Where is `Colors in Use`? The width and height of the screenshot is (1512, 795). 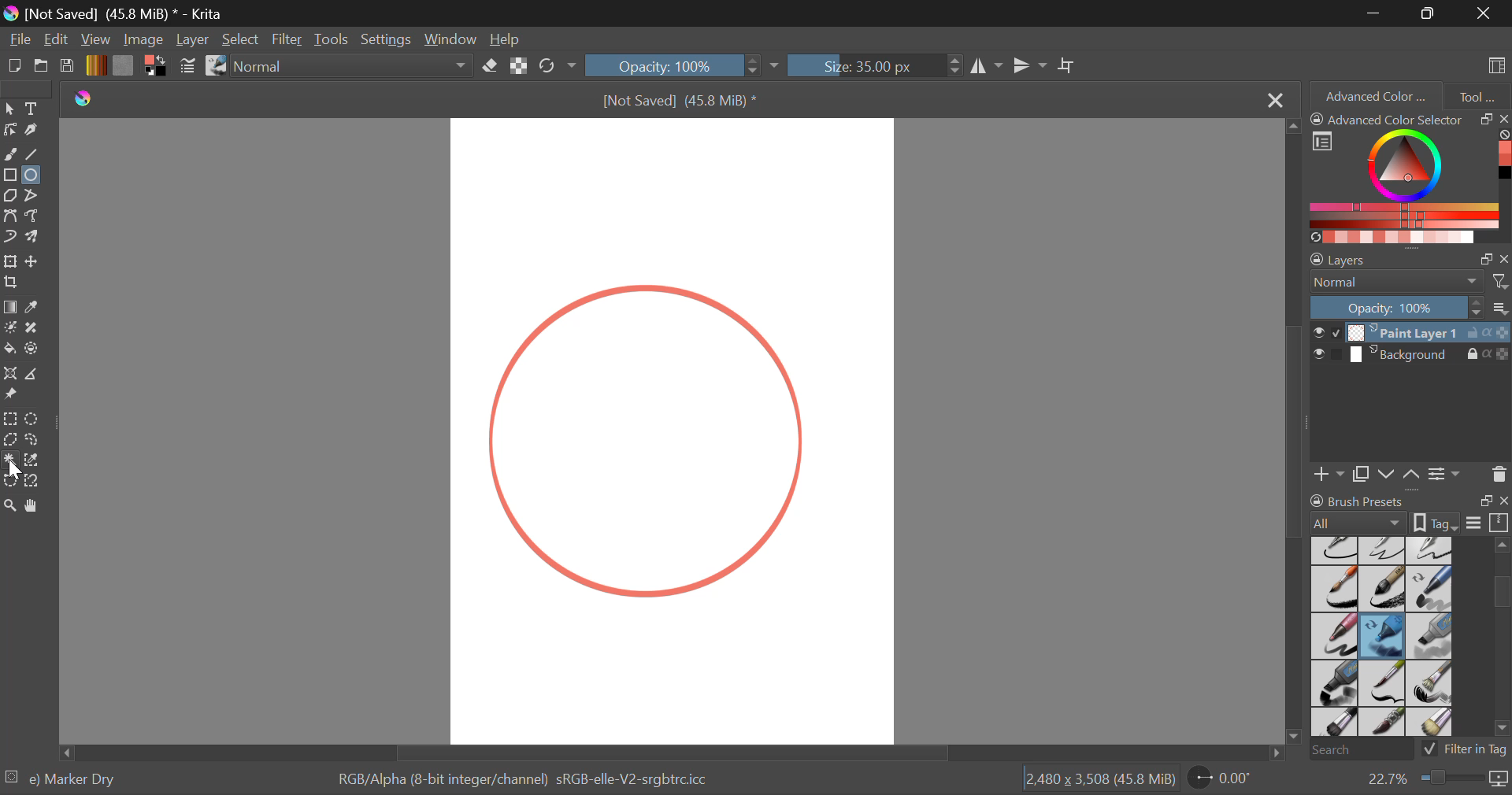 Colors in Use is located at coordinates (154, 66).